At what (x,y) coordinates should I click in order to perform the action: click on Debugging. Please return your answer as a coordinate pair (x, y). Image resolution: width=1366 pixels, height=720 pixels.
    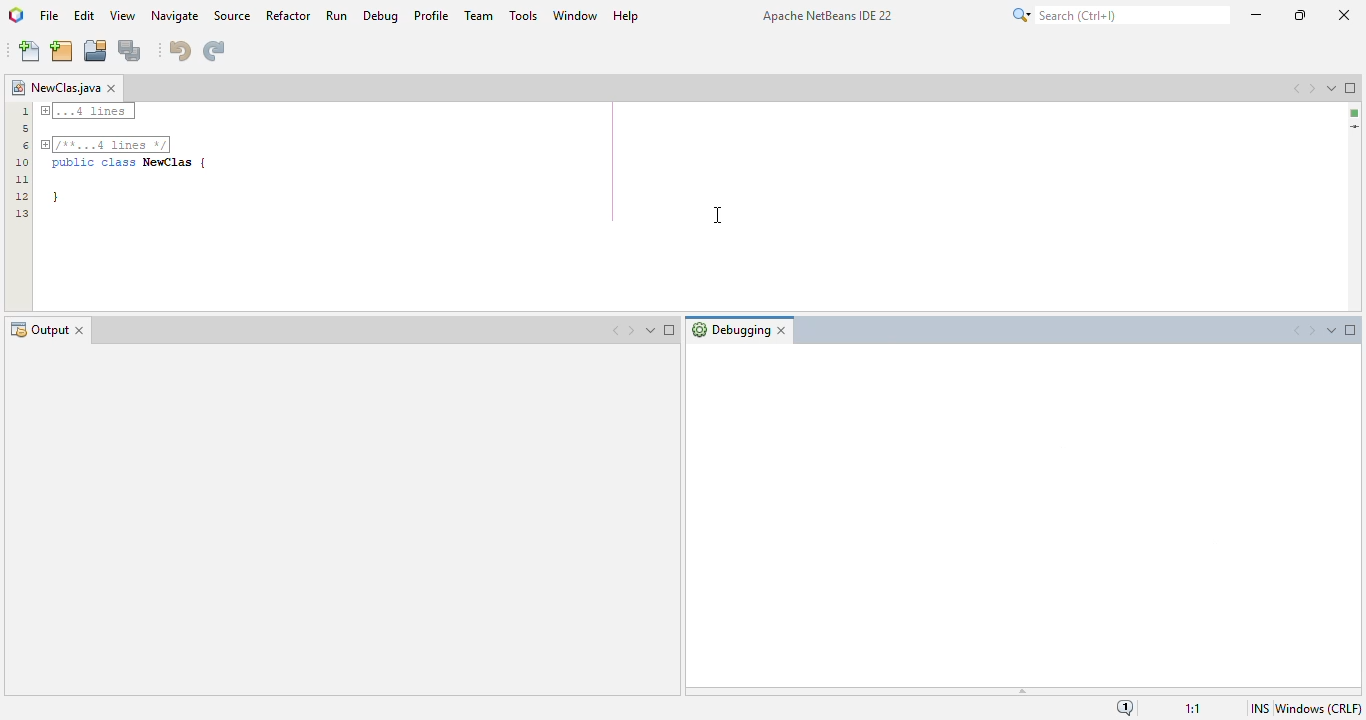
    Looking at the image, I should click on (728, 331).